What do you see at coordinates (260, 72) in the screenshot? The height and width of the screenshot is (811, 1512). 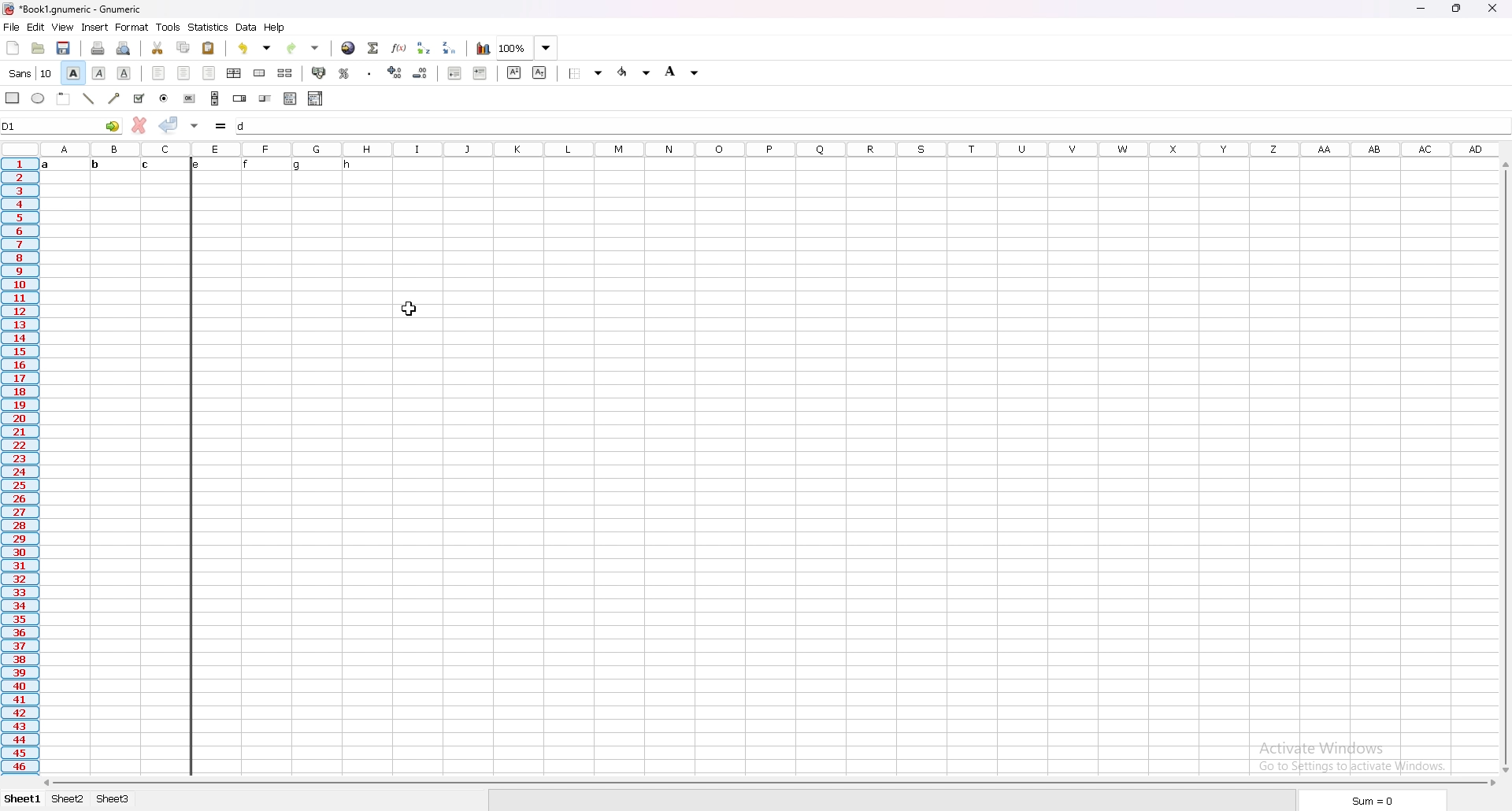 I see `merge cell` at bounding box center [260, 72].